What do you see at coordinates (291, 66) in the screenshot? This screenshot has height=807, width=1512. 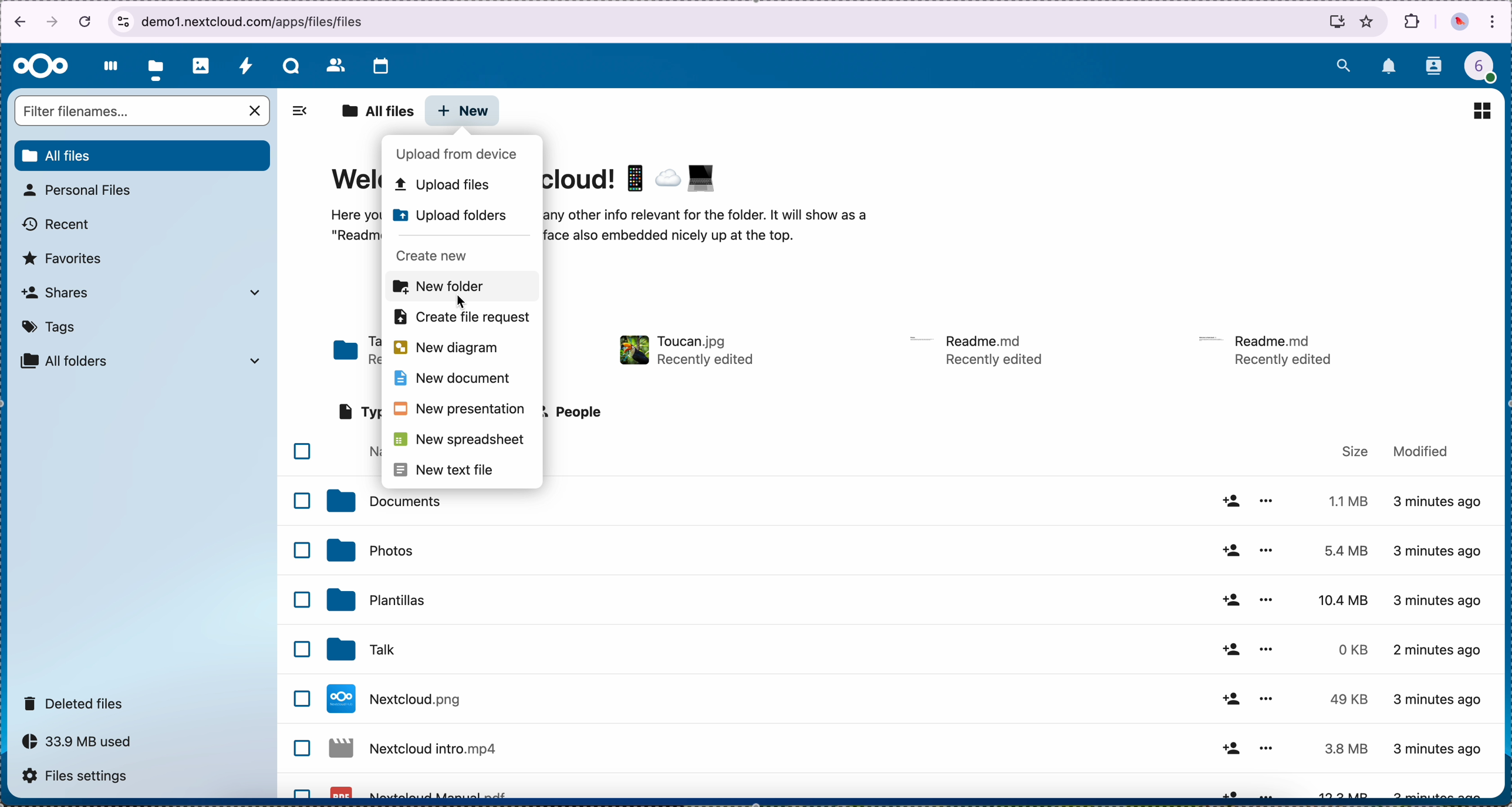 I see `talk` at bounding box center [291, 66].